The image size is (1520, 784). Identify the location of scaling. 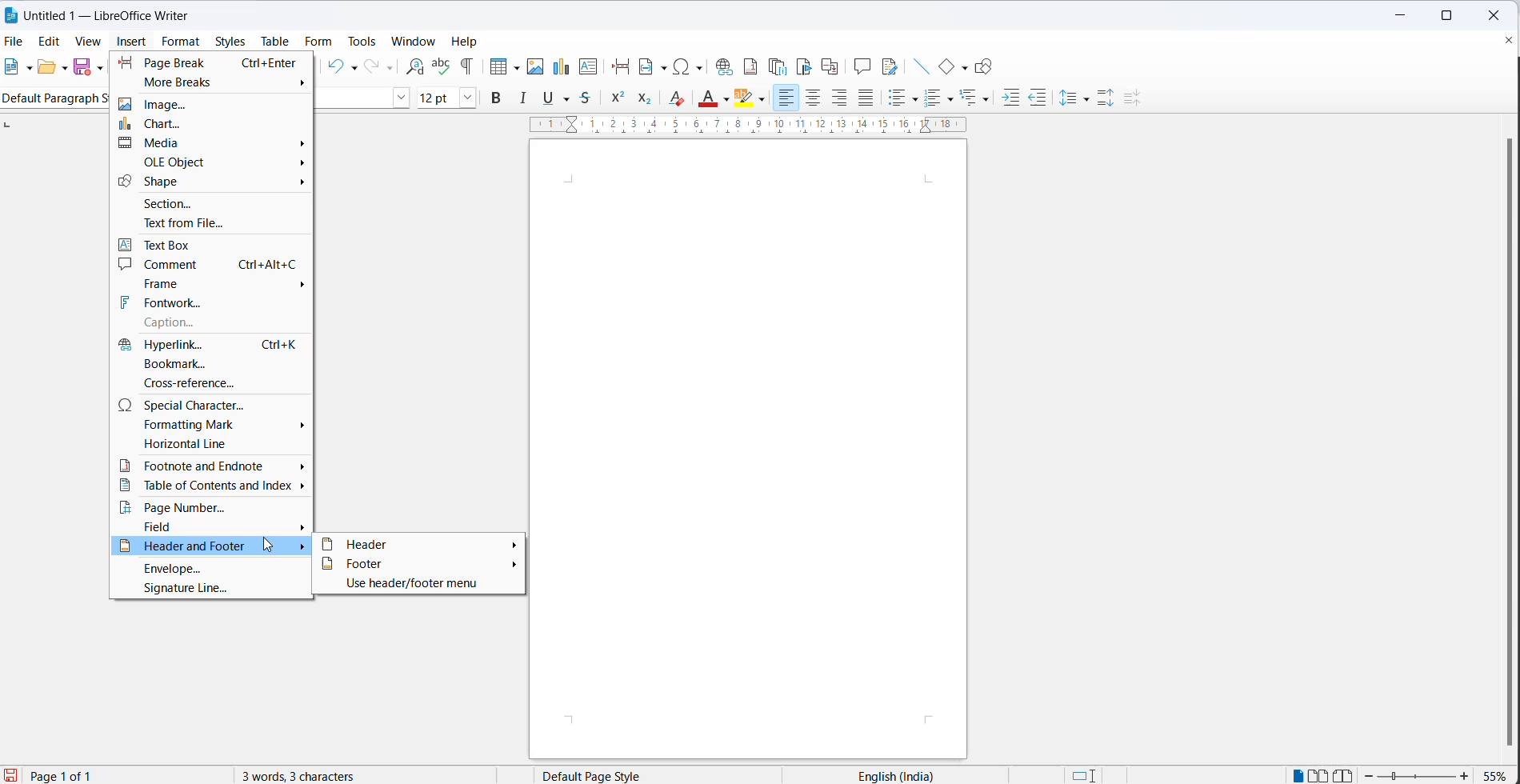
(752, 126).